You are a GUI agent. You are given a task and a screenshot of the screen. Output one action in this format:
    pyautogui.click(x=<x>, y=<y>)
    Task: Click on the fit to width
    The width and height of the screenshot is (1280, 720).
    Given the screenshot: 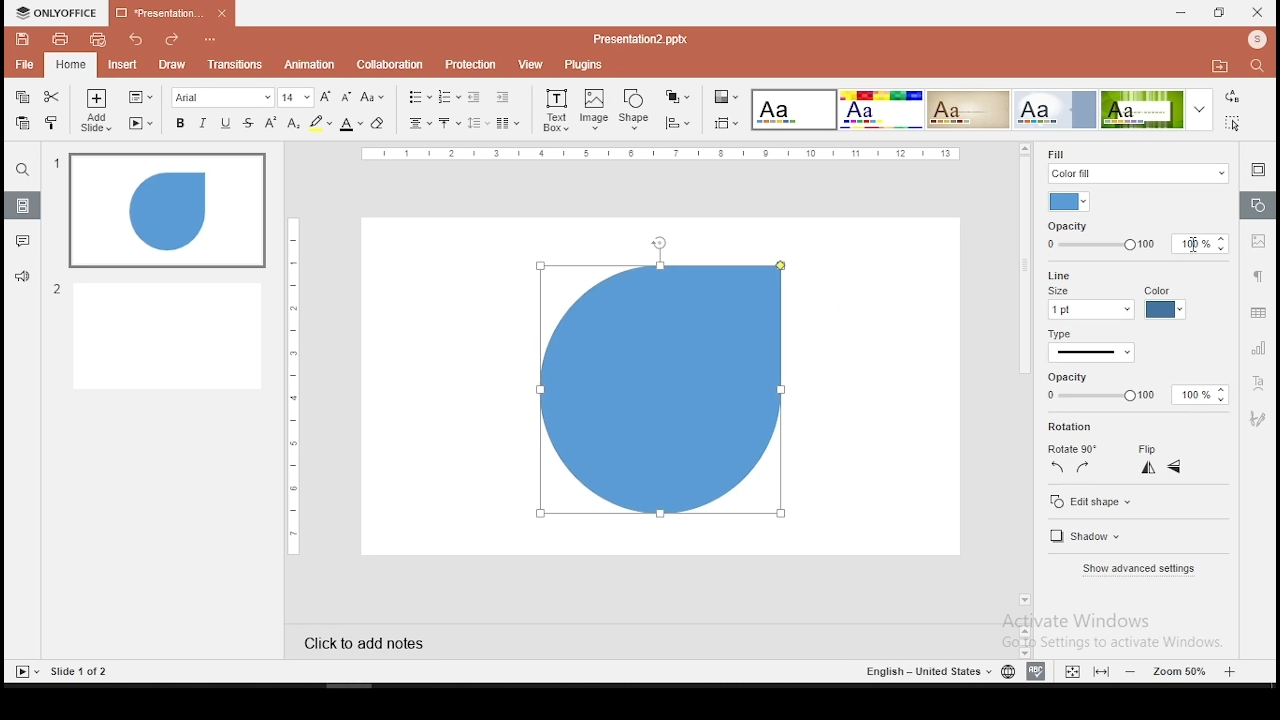 What is the action you would take?
    pyautogui.click(x=1069, y=671)
    